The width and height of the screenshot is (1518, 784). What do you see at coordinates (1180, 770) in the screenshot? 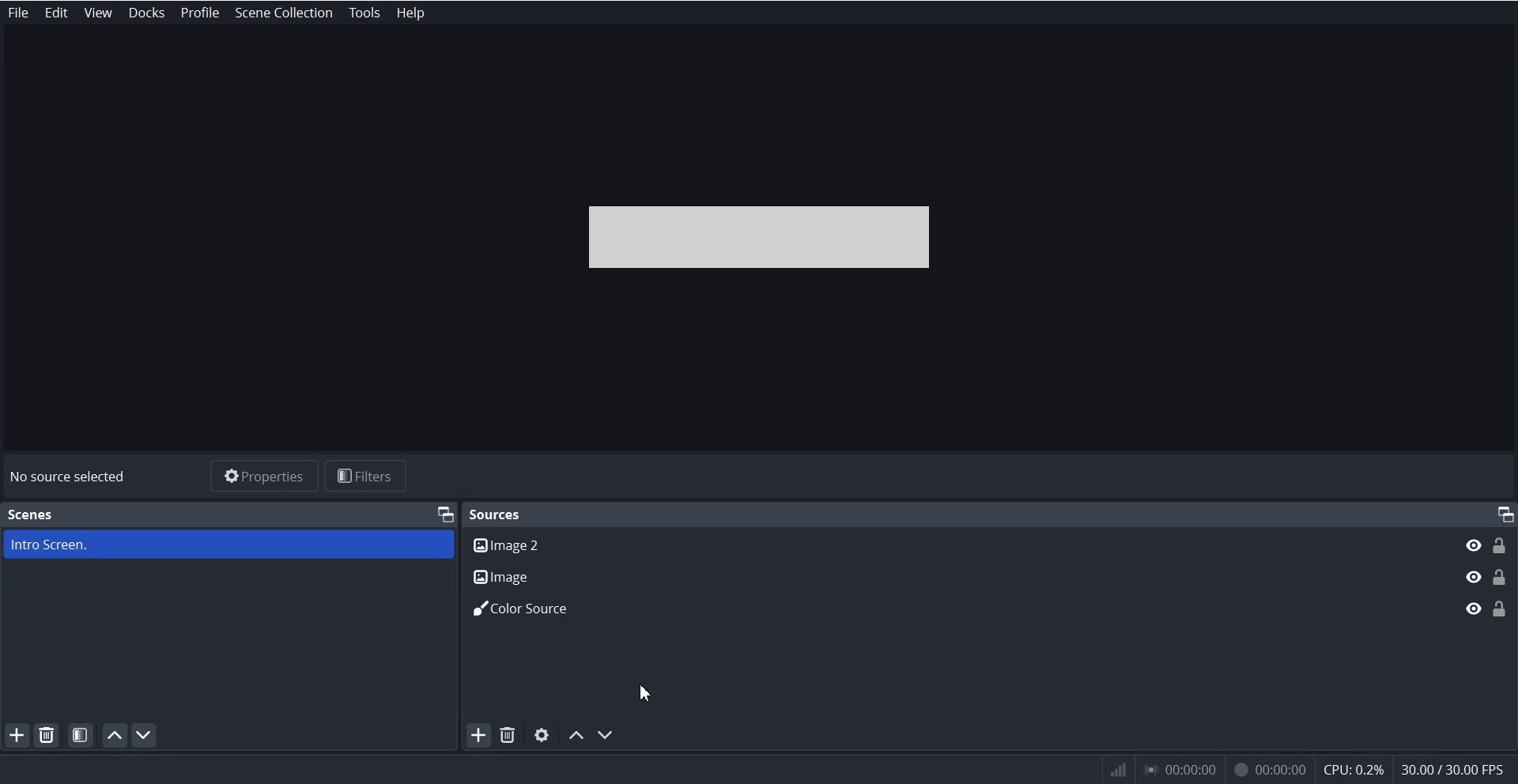
I see `00:00:00` at bounding box center [1180, 770].